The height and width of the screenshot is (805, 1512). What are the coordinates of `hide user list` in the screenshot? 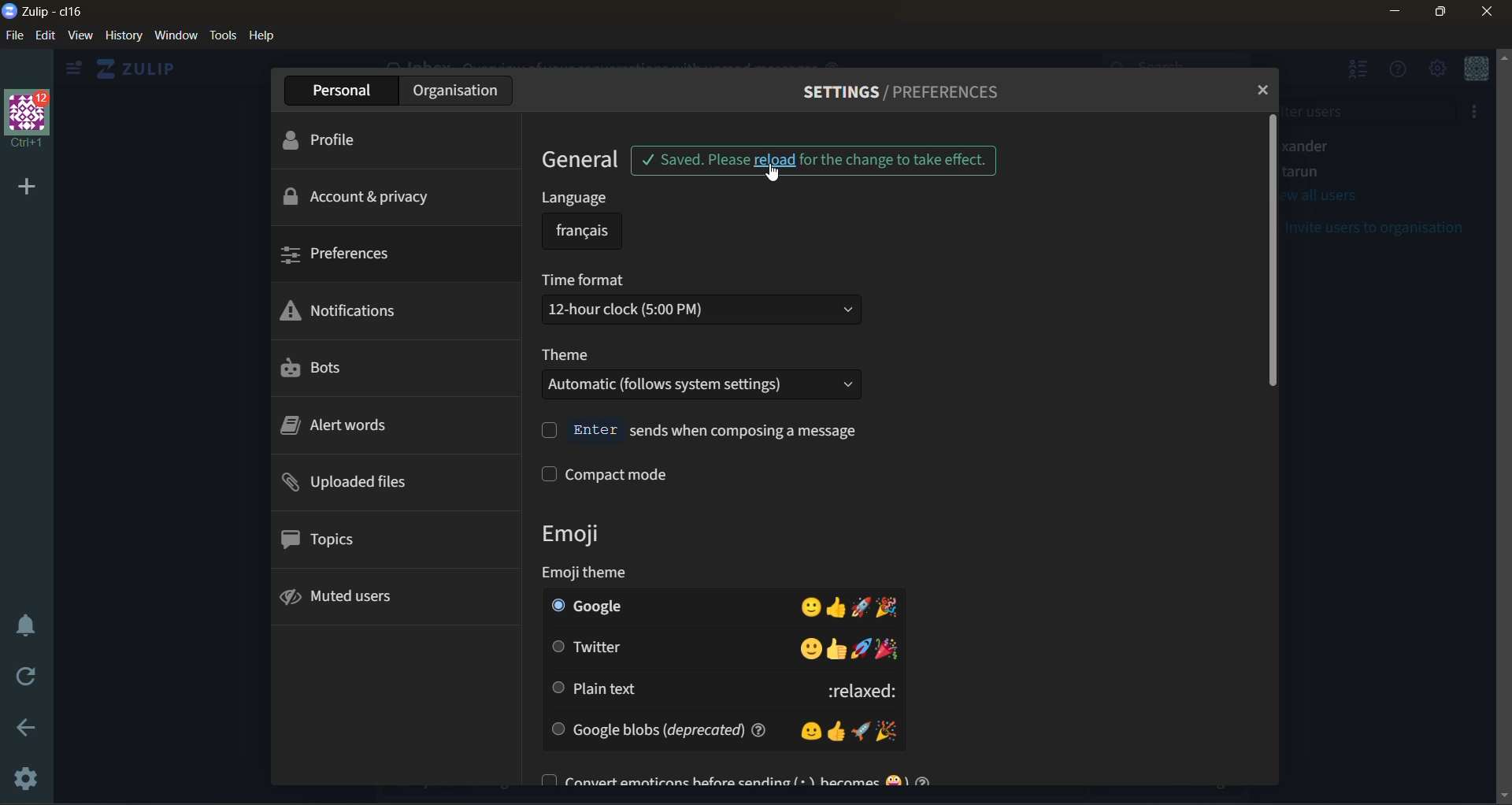 It's located at (1361, 72).